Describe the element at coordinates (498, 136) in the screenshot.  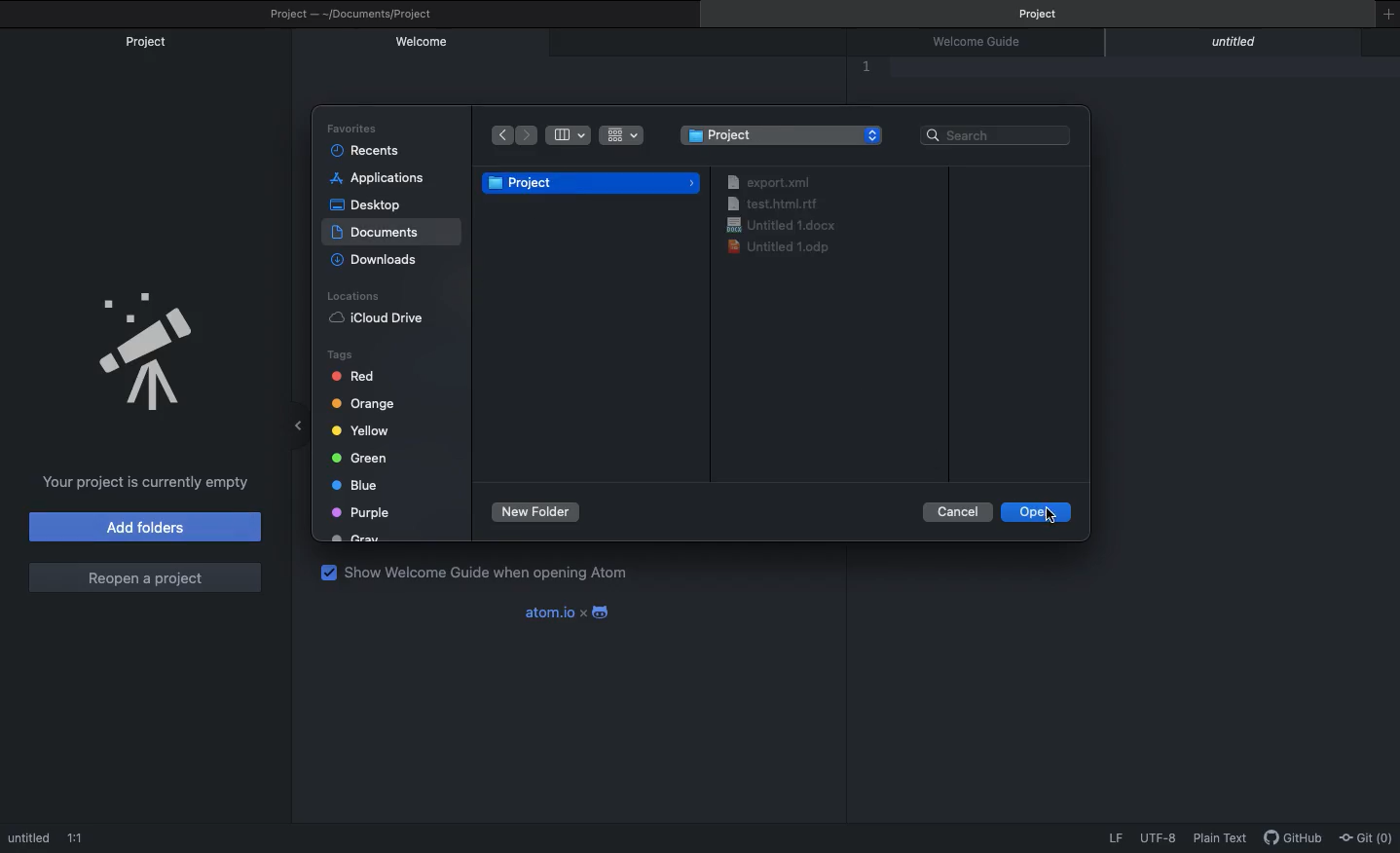
I see `Back` at that location.